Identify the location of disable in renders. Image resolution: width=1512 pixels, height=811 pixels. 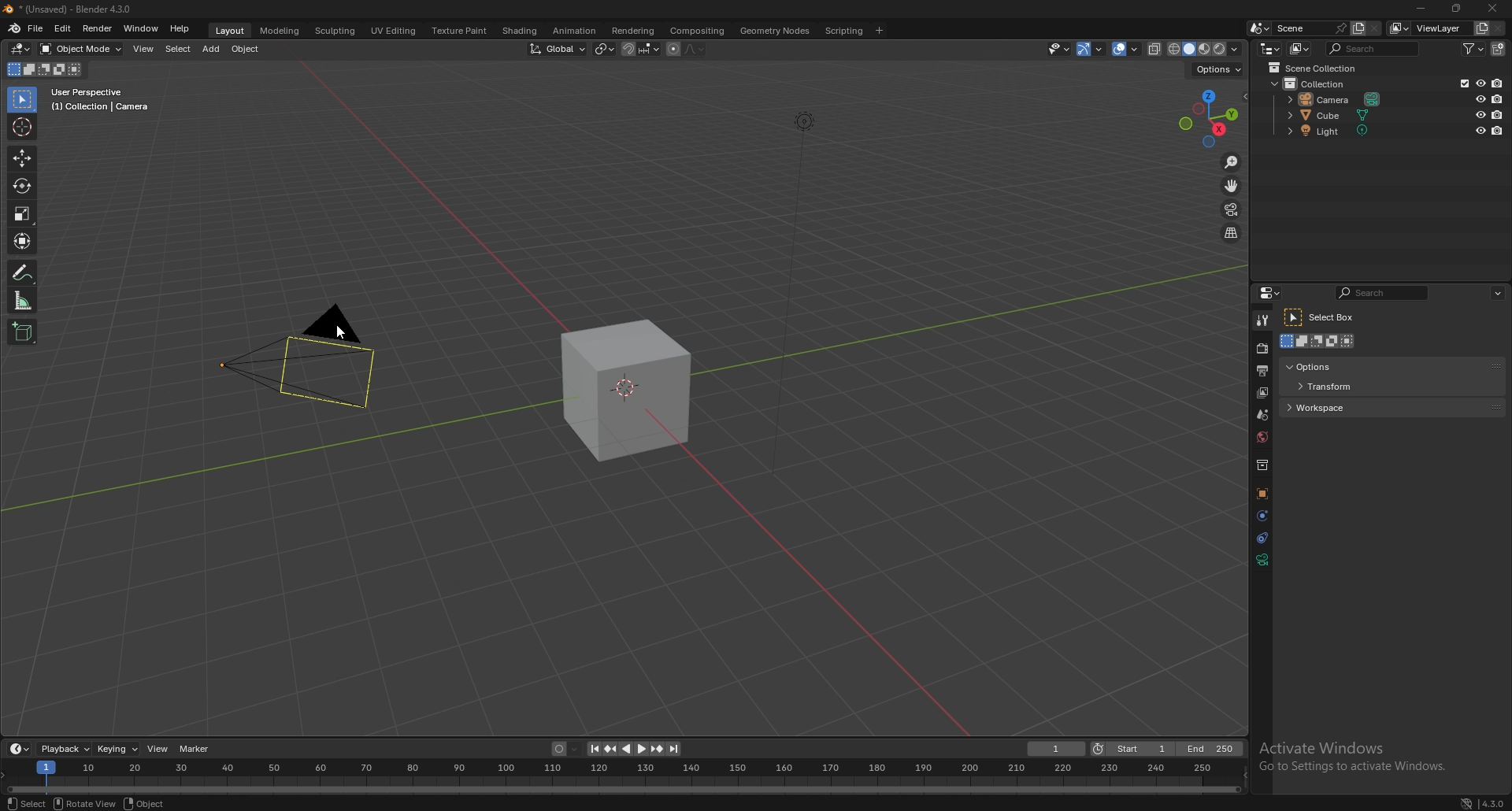
(1498, 114).